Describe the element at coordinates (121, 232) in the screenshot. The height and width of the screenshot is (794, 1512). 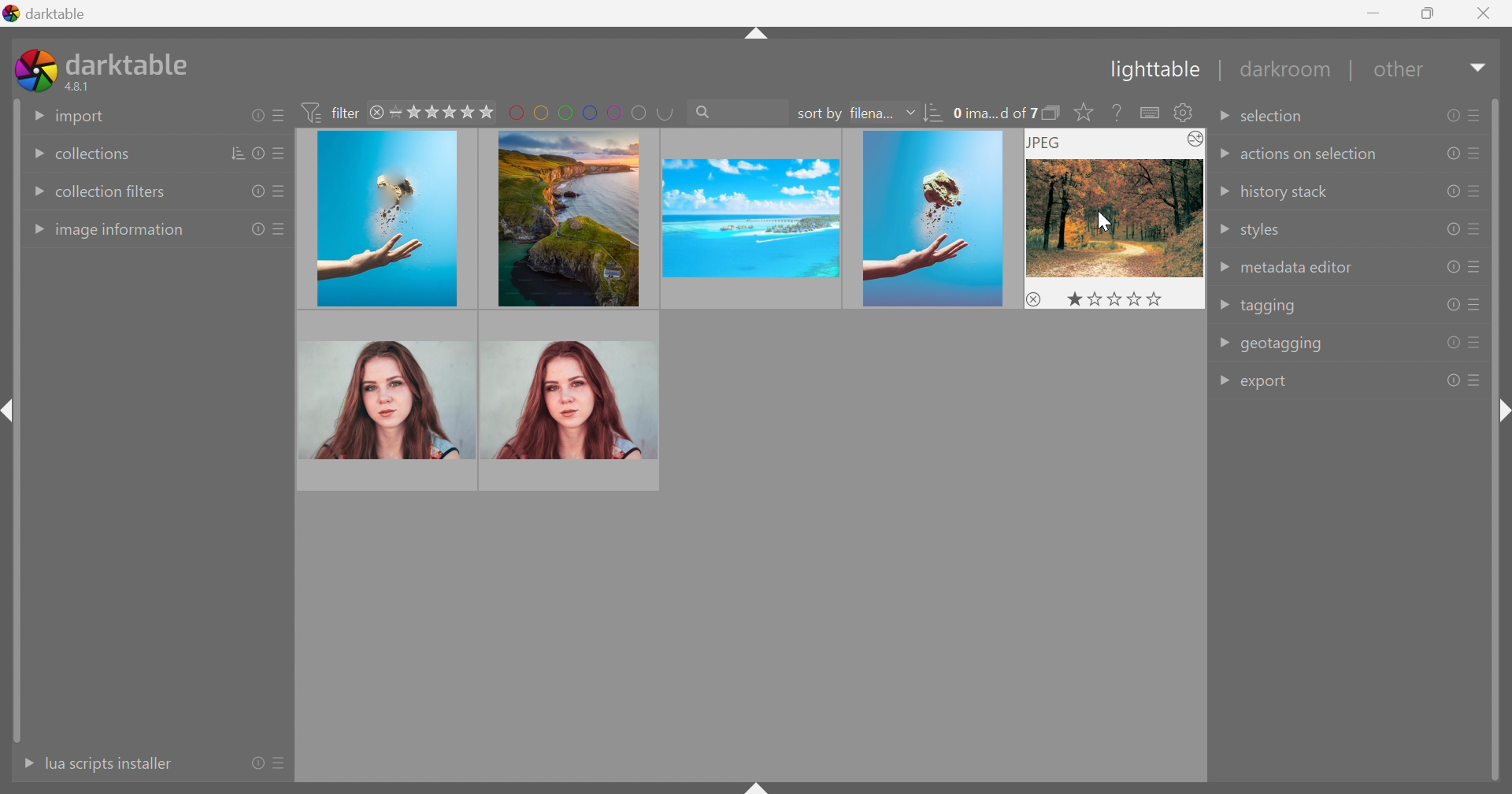
I see `image information` at that location.